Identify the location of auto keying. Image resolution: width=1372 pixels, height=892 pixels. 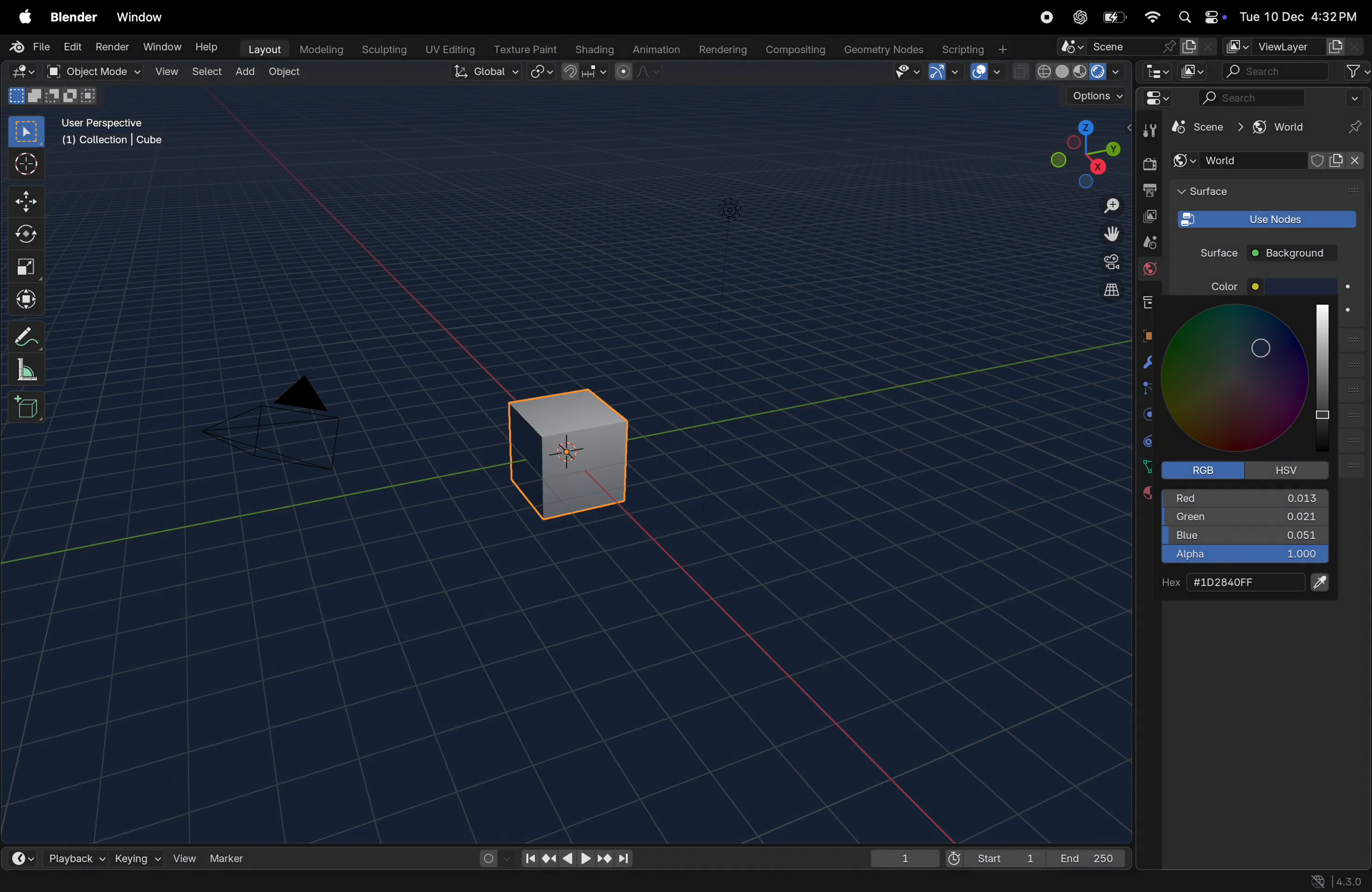
(492, 857).